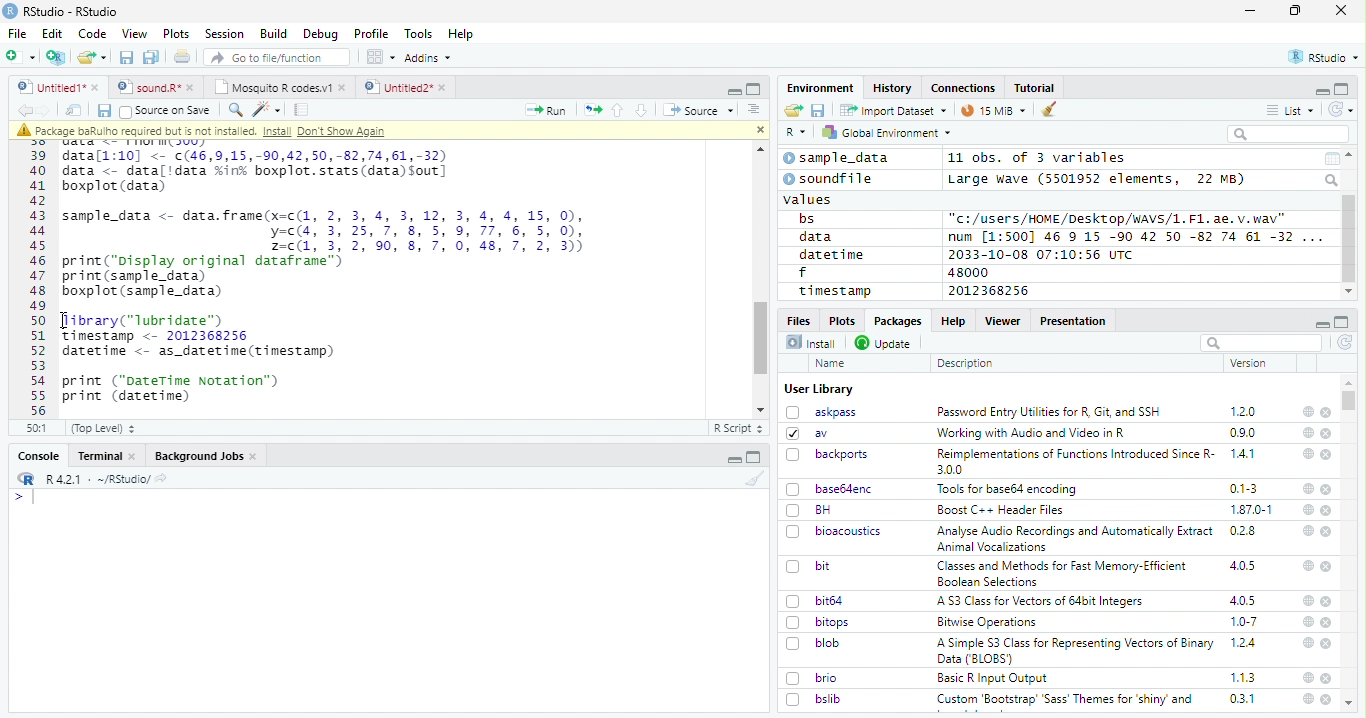 This screenshot has height=718, width=1366. I want to click on scroll bar, so click(1350, 400).